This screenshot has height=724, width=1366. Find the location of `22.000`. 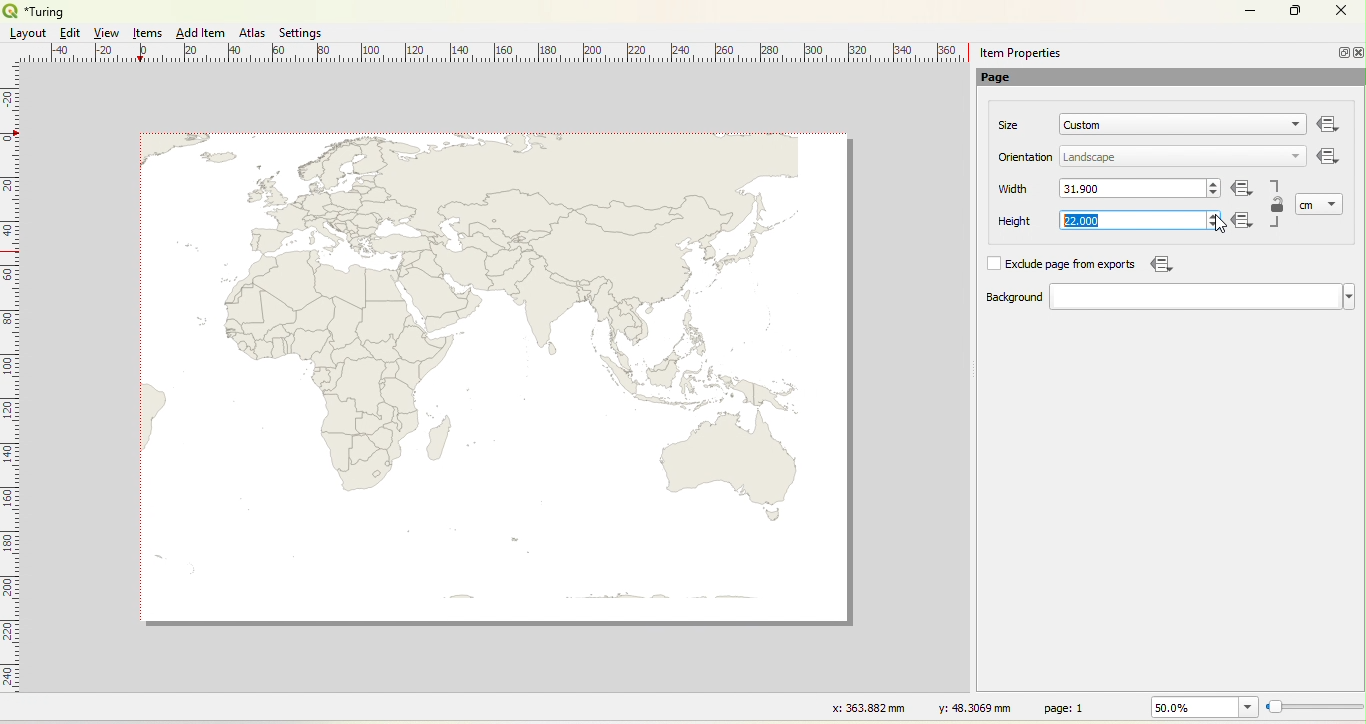

22.000 is located at coordinates (1080, 221).